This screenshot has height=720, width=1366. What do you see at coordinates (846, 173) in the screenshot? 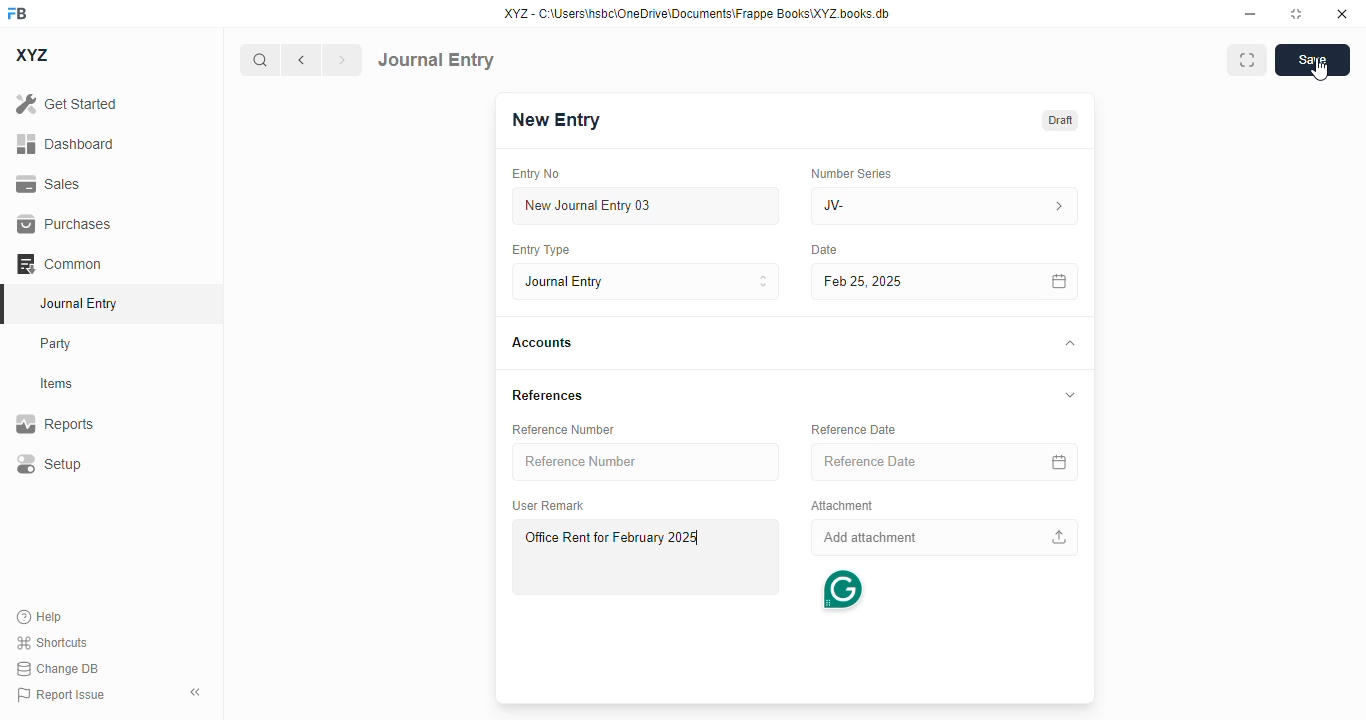
I see `number series` at bounding box center [846, 173].